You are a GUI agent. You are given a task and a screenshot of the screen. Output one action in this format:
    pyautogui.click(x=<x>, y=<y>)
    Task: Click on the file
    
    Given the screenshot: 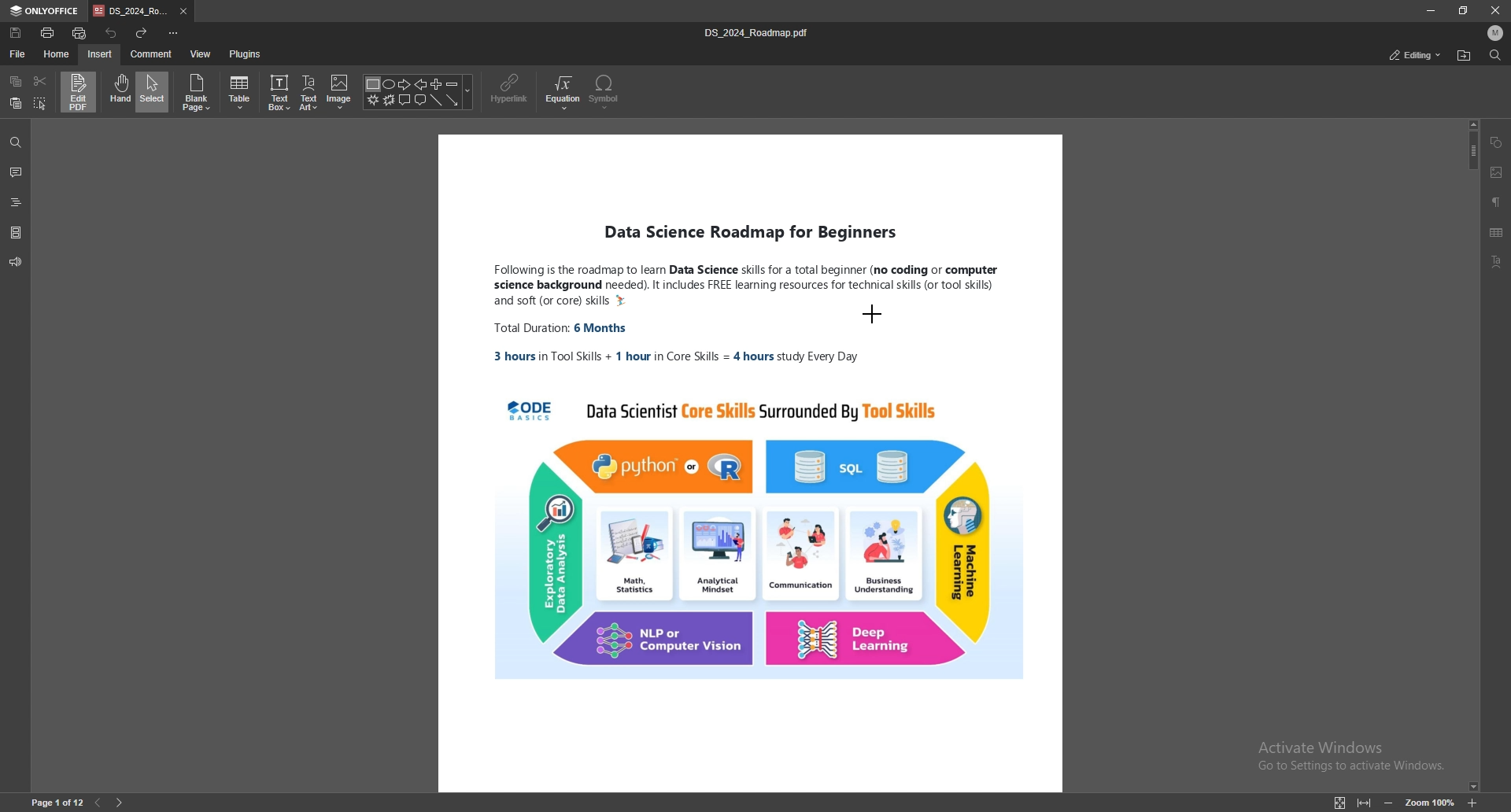 What is the action you would take?
    pyautogui.click(x=18, y=53)
    